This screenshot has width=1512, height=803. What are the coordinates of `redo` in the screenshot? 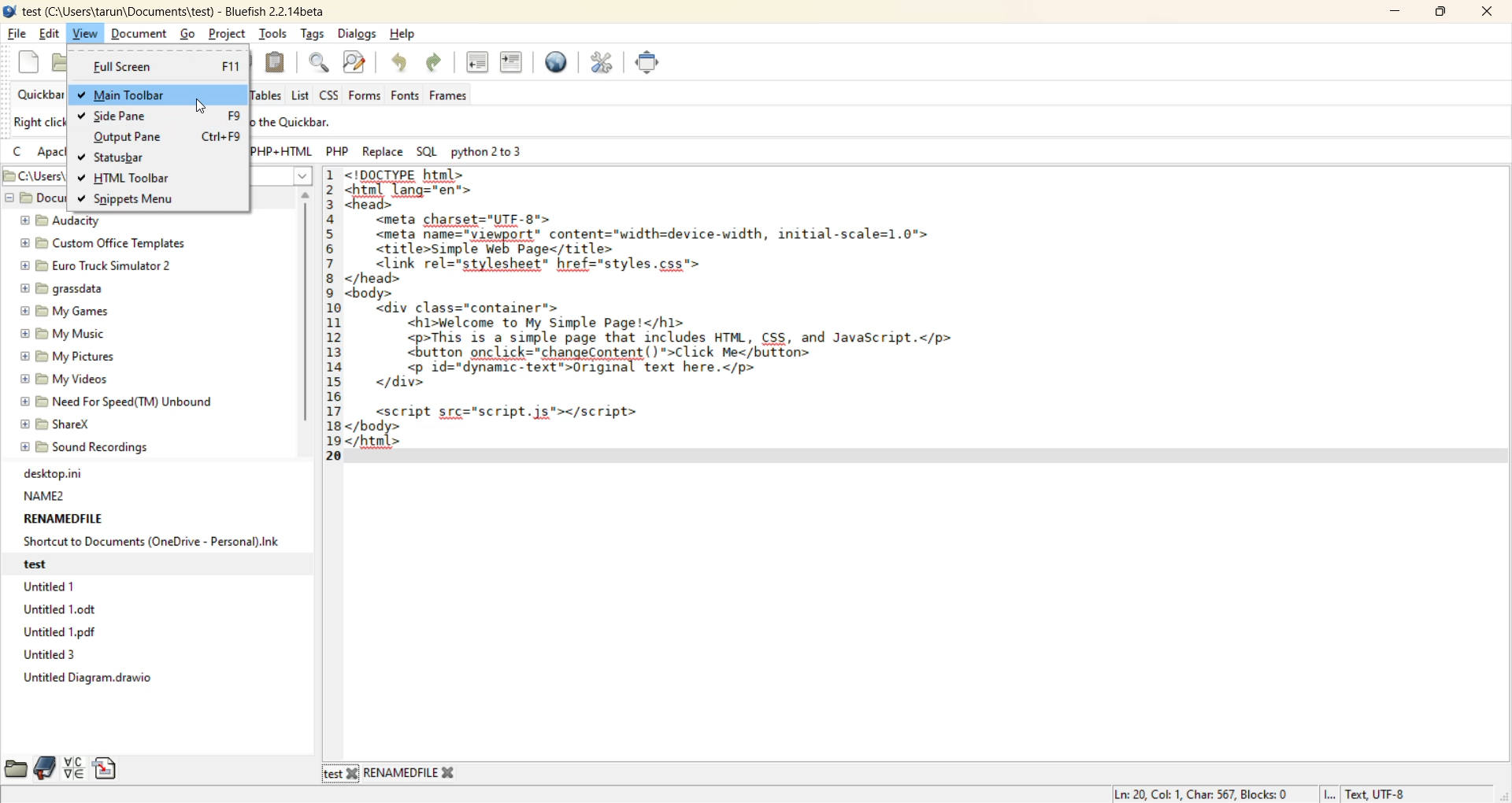 It's located at (439, 64).